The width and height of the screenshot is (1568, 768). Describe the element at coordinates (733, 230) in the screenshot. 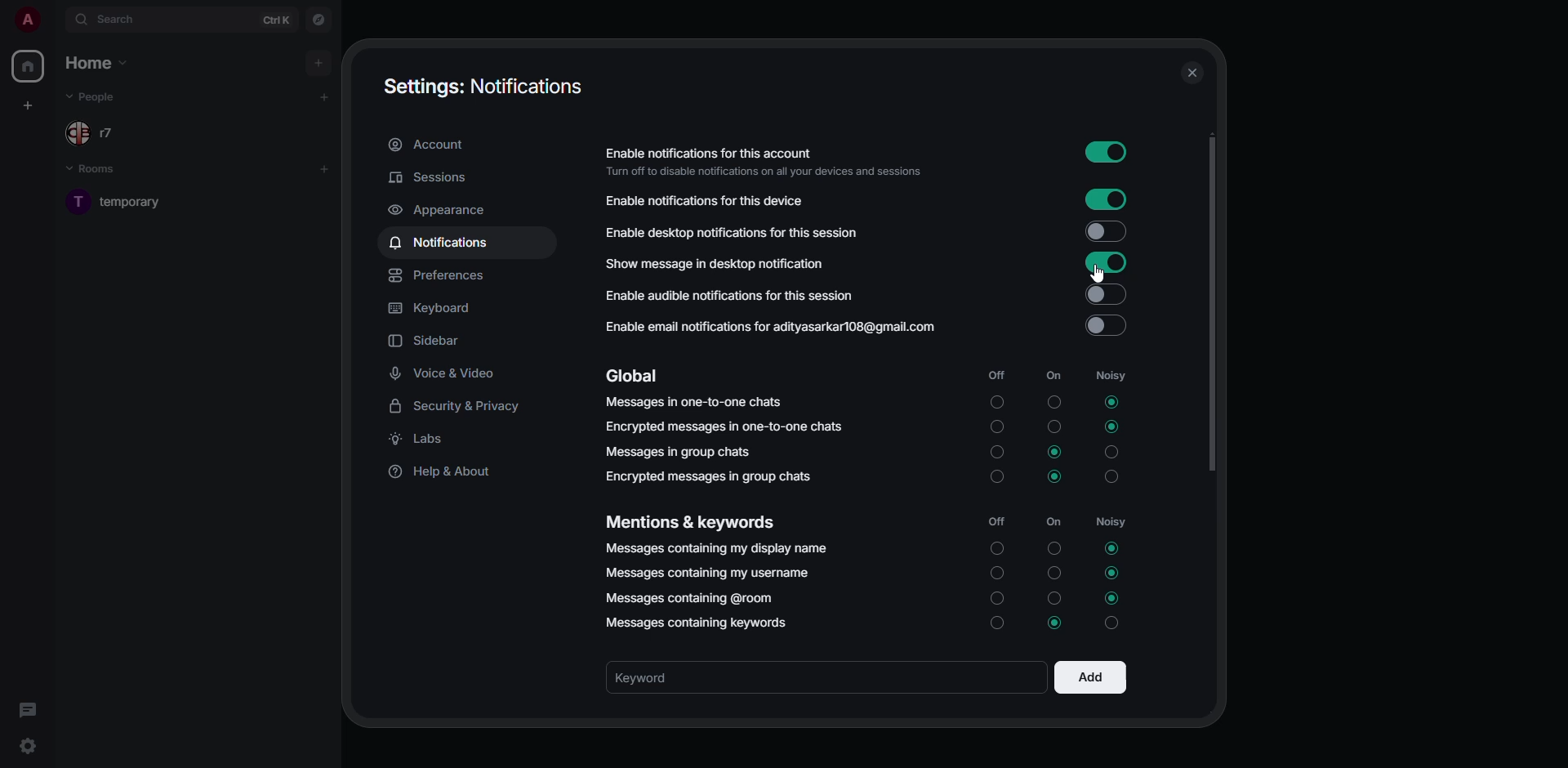

I see `enable desktop notifications for this session` at that location.